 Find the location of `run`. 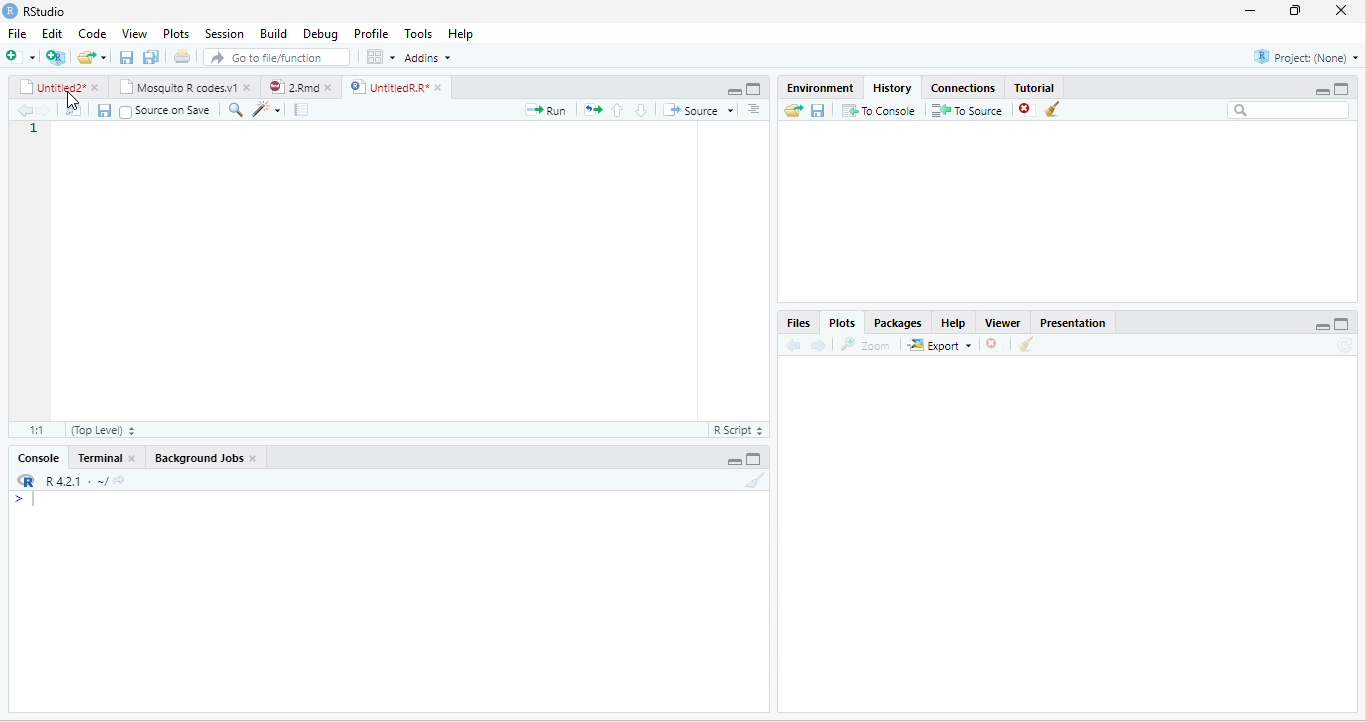

run is located at coordinates (539, 110).